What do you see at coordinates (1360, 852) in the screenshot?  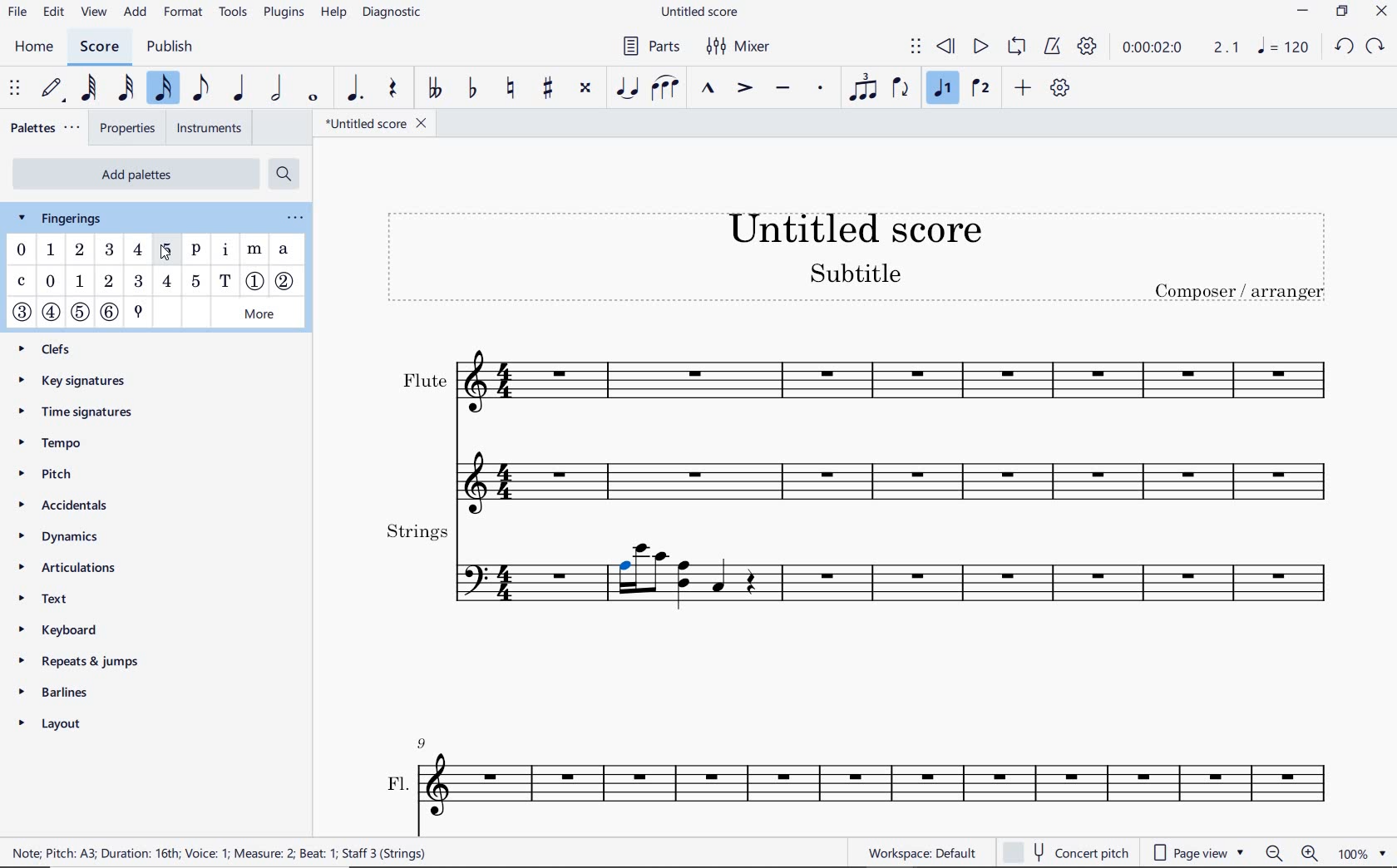 I see `zoom factor` at bounding box center [1360, 852].